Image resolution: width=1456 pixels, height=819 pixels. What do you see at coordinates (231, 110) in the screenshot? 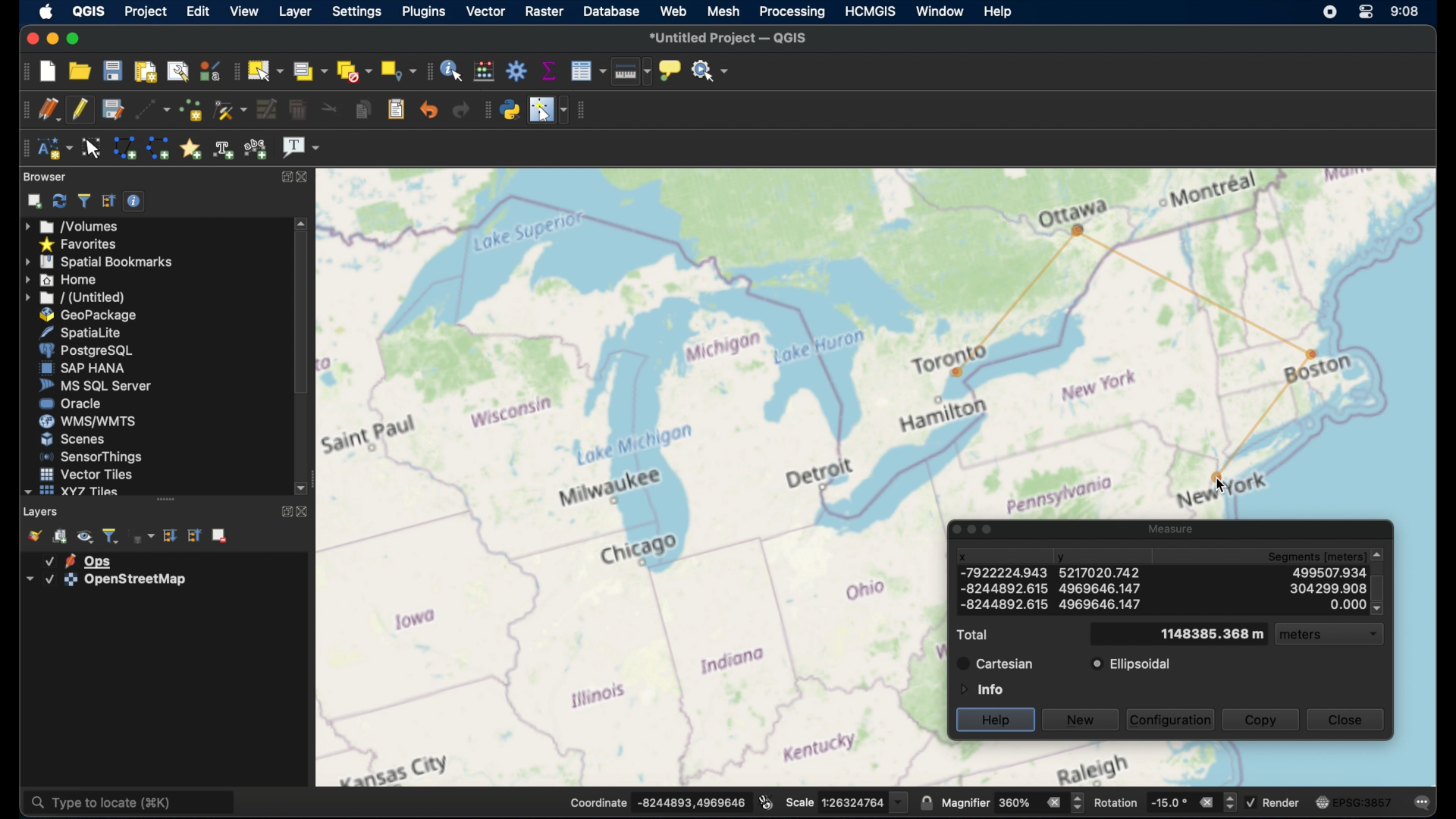
I see `vertex tool` at bounding box center [231, 110].